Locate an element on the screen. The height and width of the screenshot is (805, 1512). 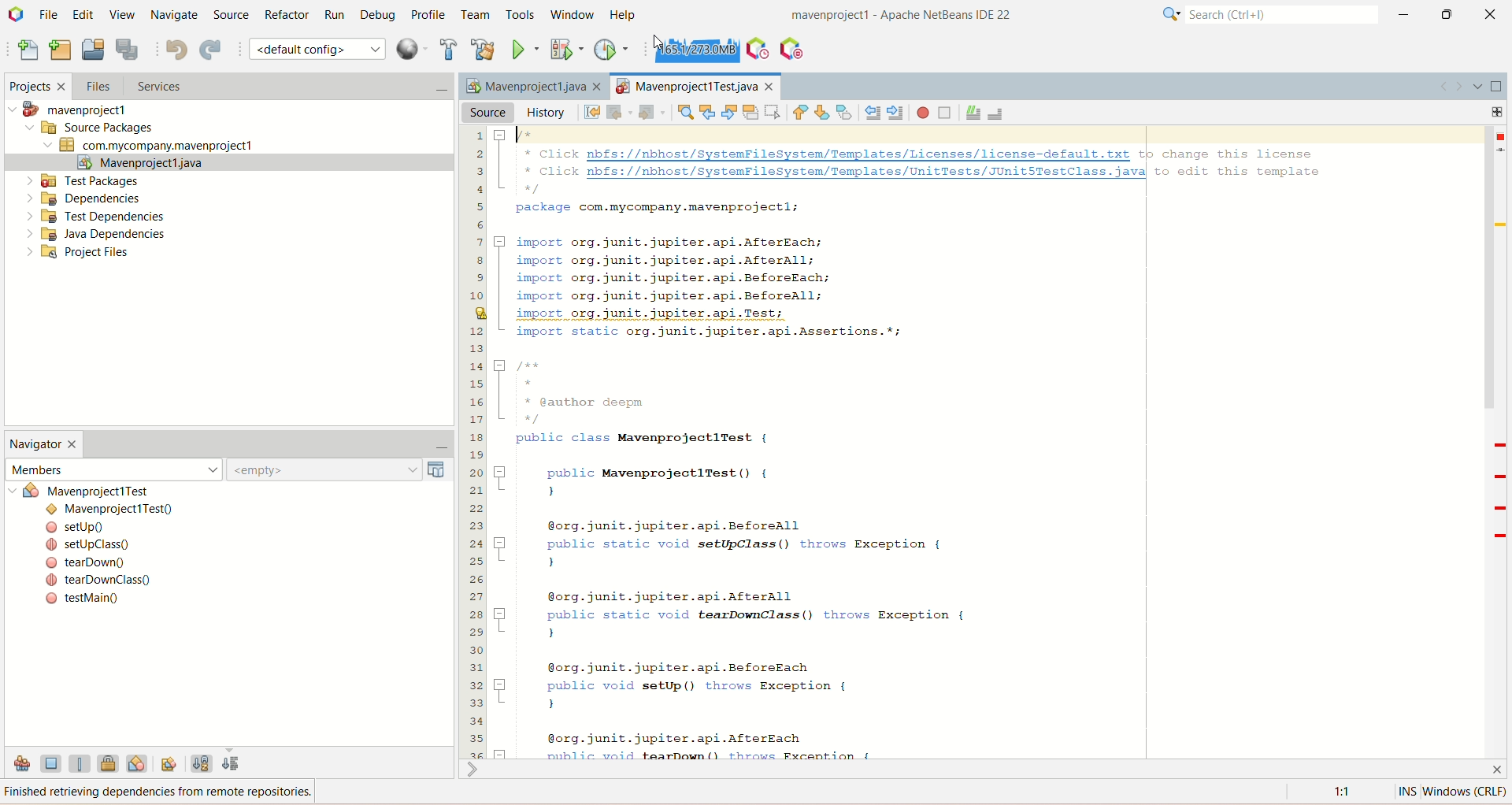
show opened document list is located at coordinates (1477, 85).